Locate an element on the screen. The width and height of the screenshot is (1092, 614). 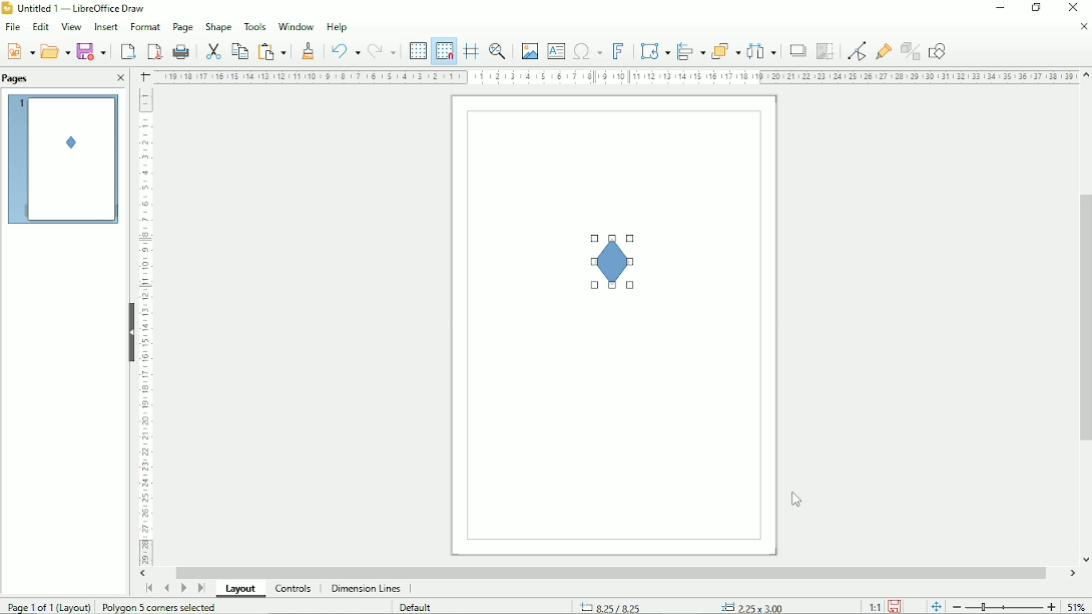
Insert is located at coordinates (105, 27).